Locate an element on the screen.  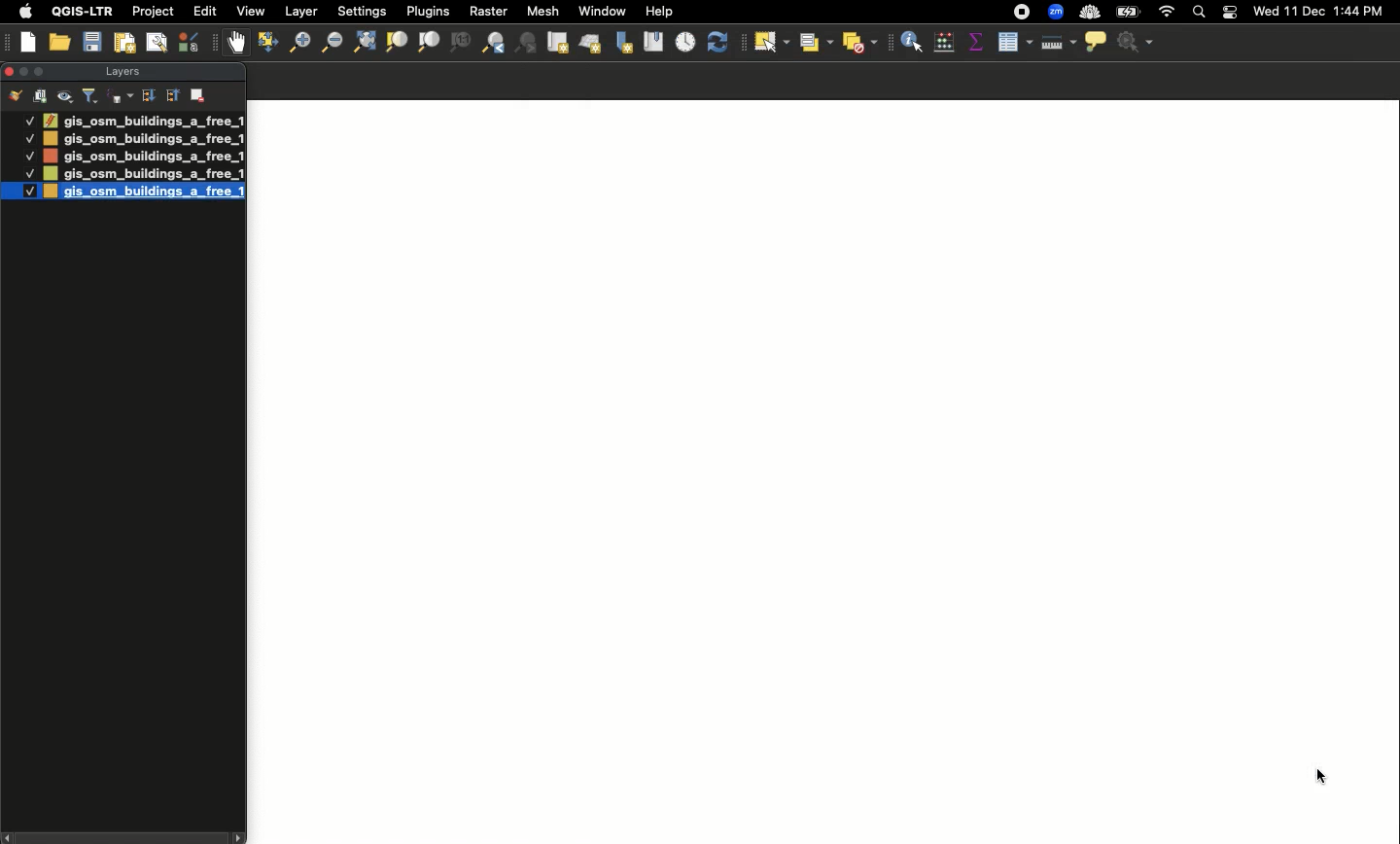
Zoom last is located at coordinates (493, 43).